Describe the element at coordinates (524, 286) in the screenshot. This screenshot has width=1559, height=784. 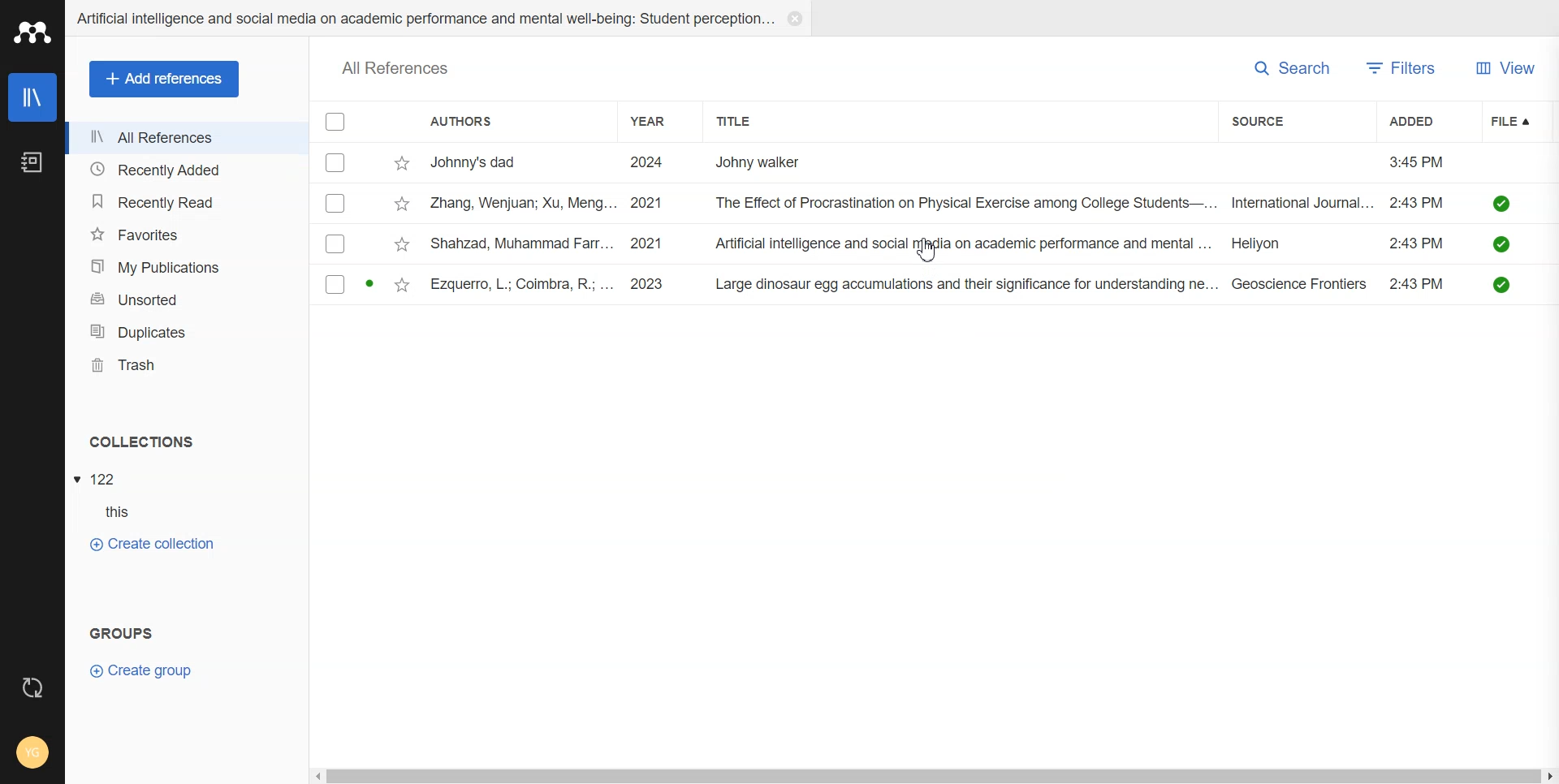
I see `ezquerro, l.; coimbra, r.; ...` at that location.